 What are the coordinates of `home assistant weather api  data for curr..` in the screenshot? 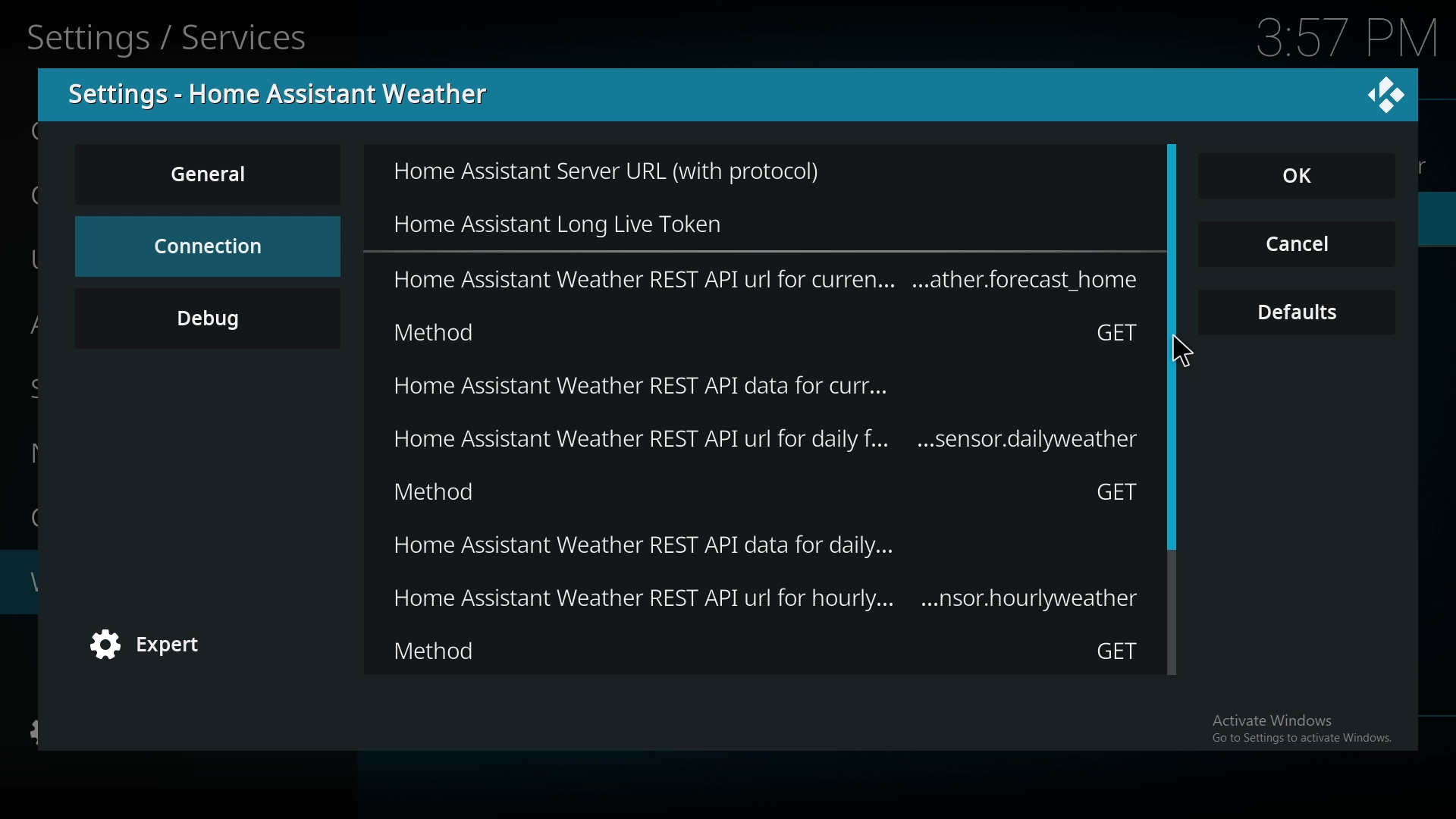 It's located at (757, 386).